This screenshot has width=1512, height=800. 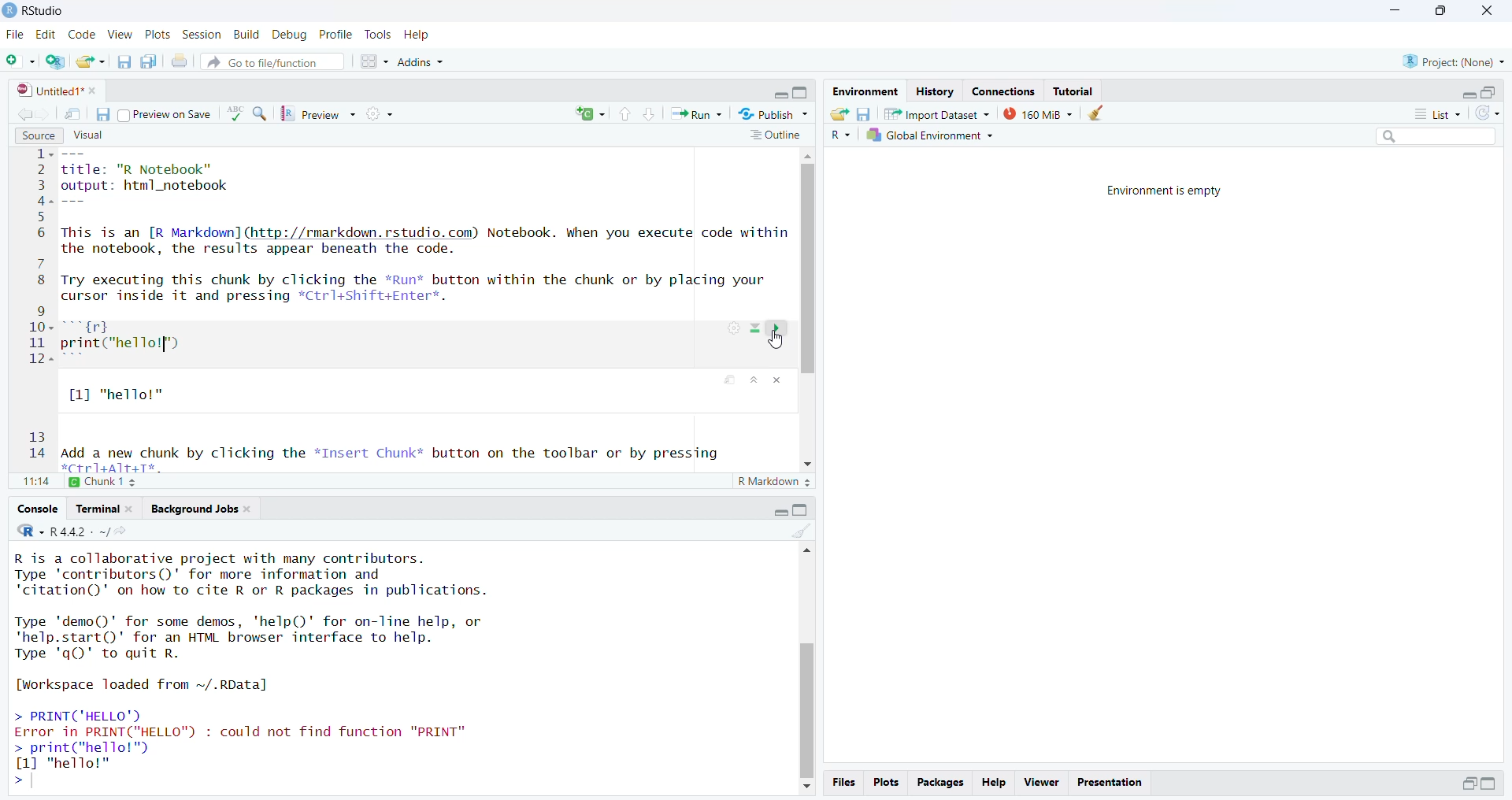 What do you see at coordinates (995, 781) in the screenshot?
I see `help` at bounding box center [995, 781].